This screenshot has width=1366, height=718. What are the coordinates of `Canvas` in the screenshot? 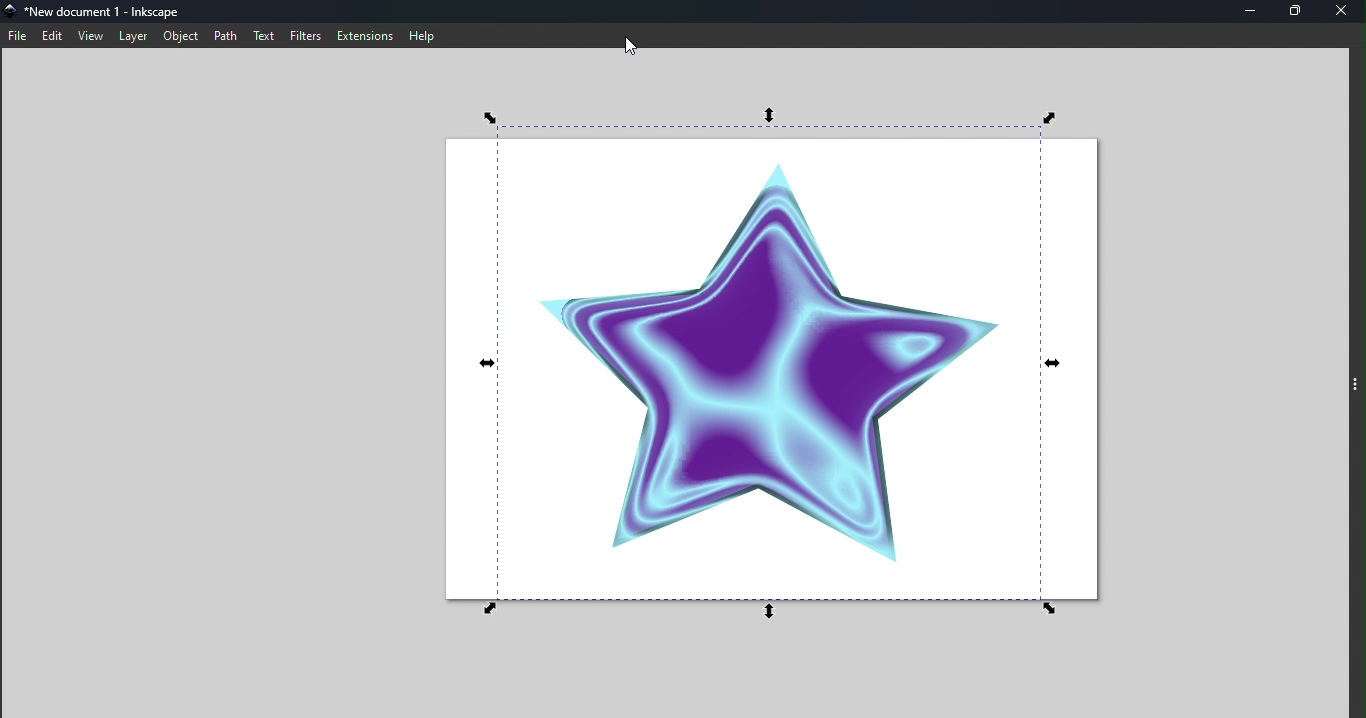 It's located at (768, 372).